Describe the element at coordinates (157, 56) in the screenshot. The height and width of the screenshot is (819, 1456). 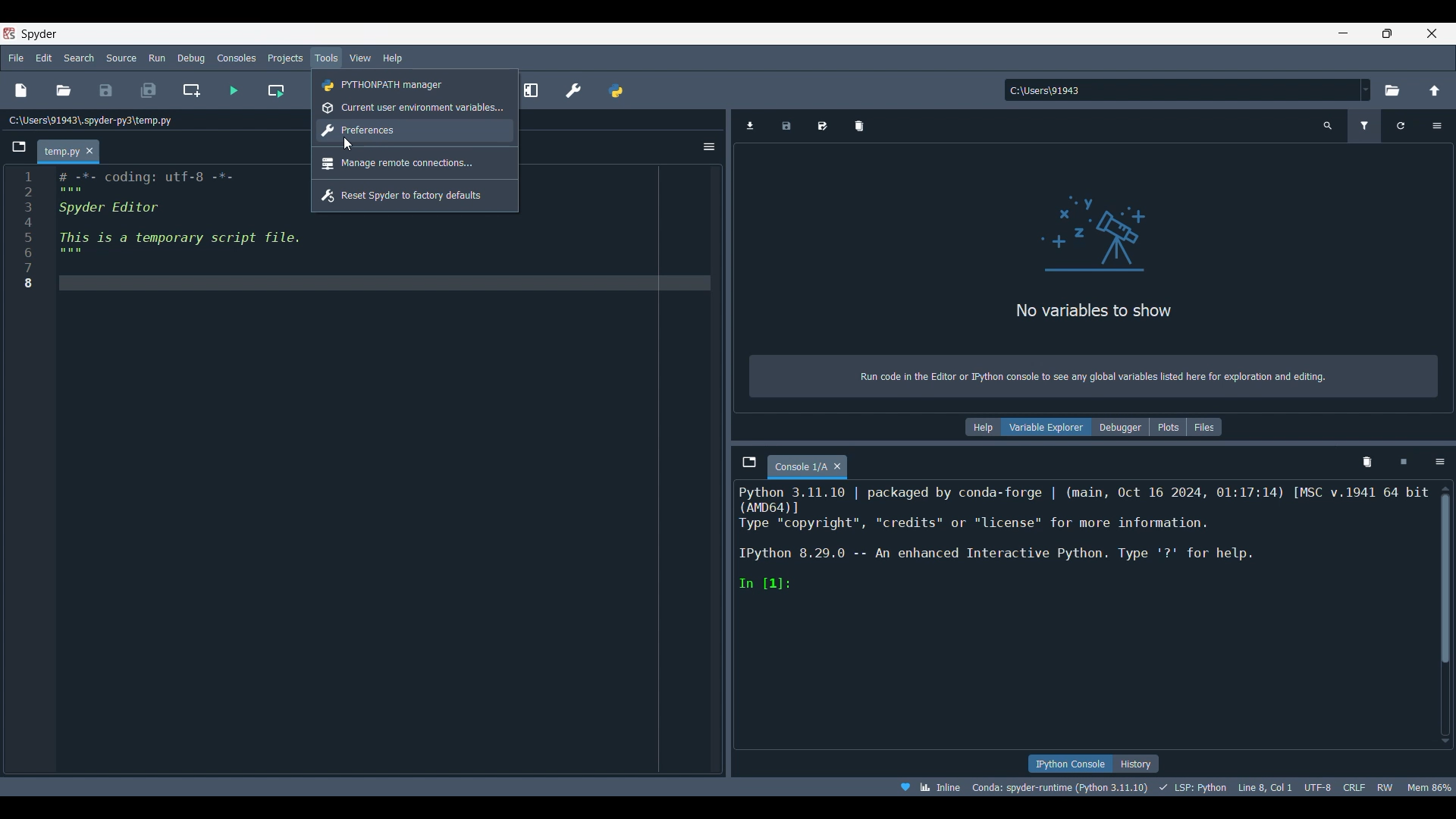
I see `Run menu` at that location.